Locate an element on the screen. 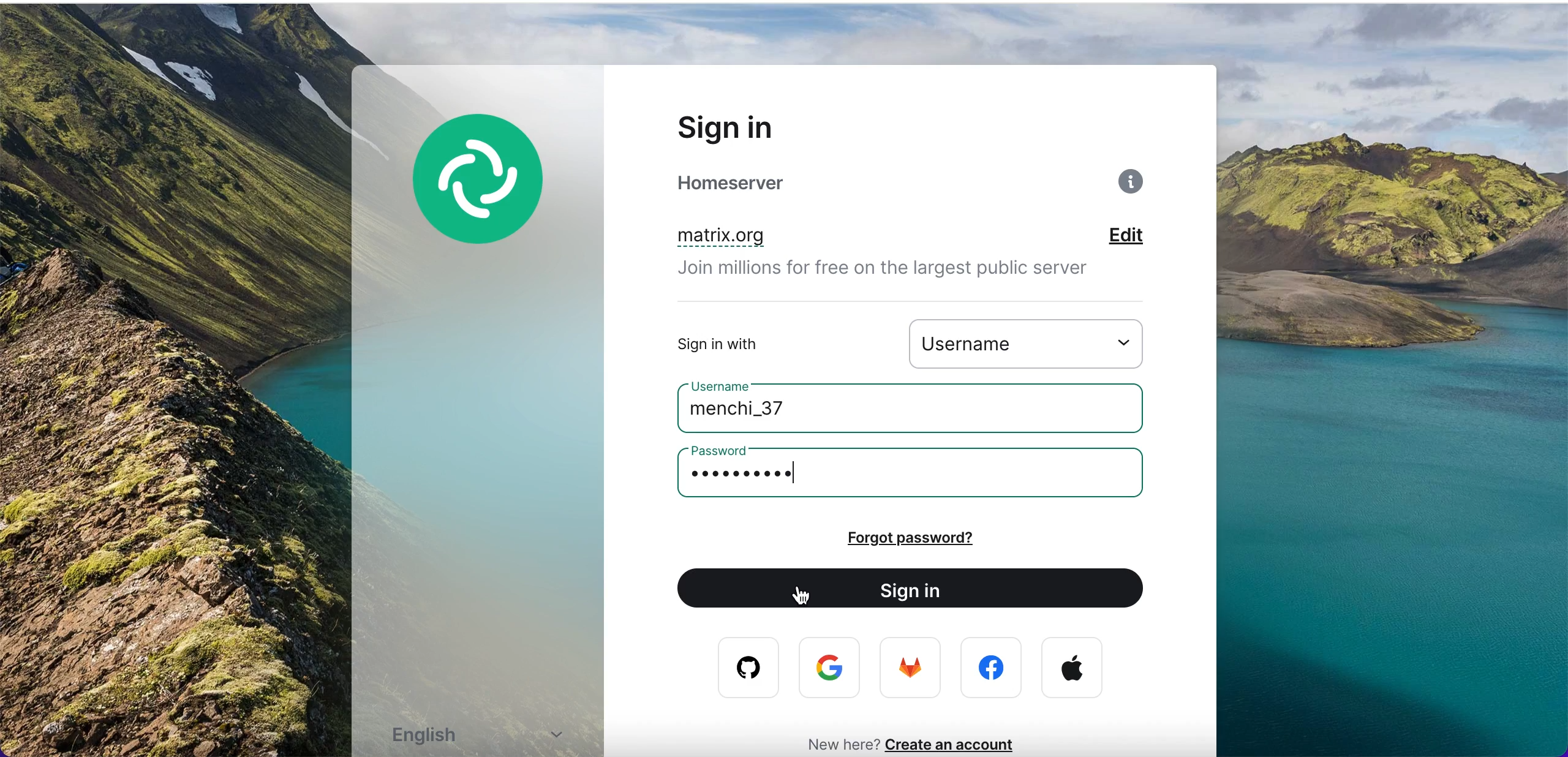 The height and width of the screenshot is (757, 1568). English is located at coordinates (485, 737).